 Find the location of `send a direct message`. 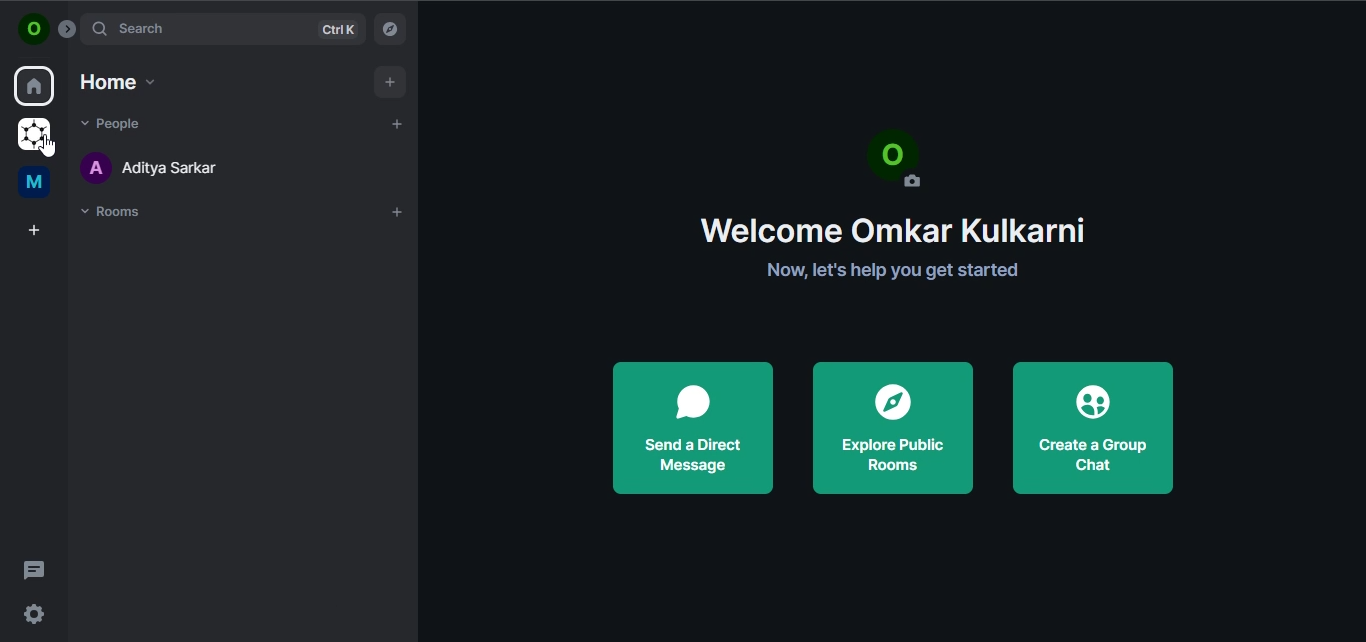

send a direct message is located at coordinates (689, 428).